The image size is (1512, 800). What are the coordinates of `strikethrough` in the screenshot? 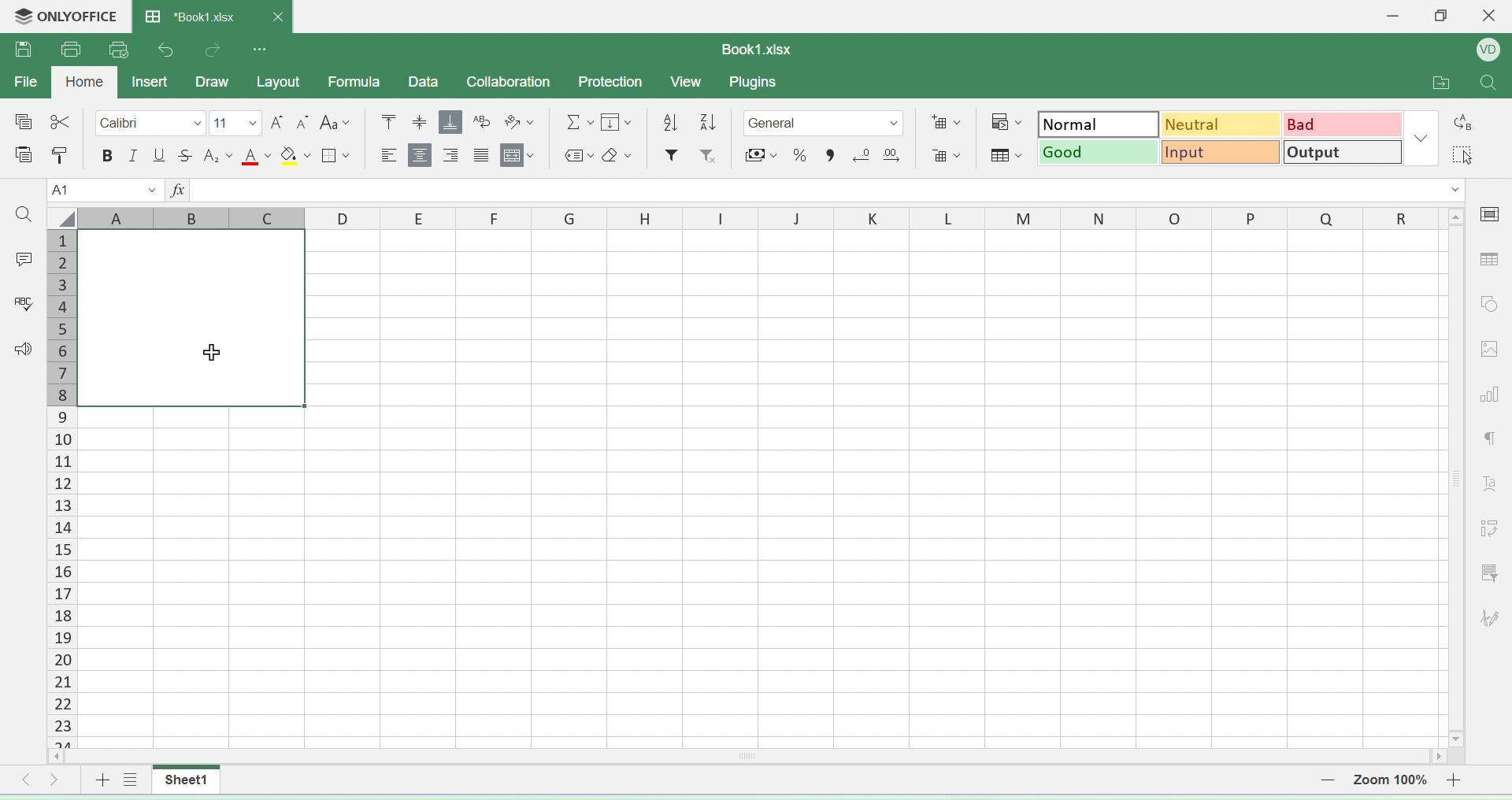 It's located at (185, 154).